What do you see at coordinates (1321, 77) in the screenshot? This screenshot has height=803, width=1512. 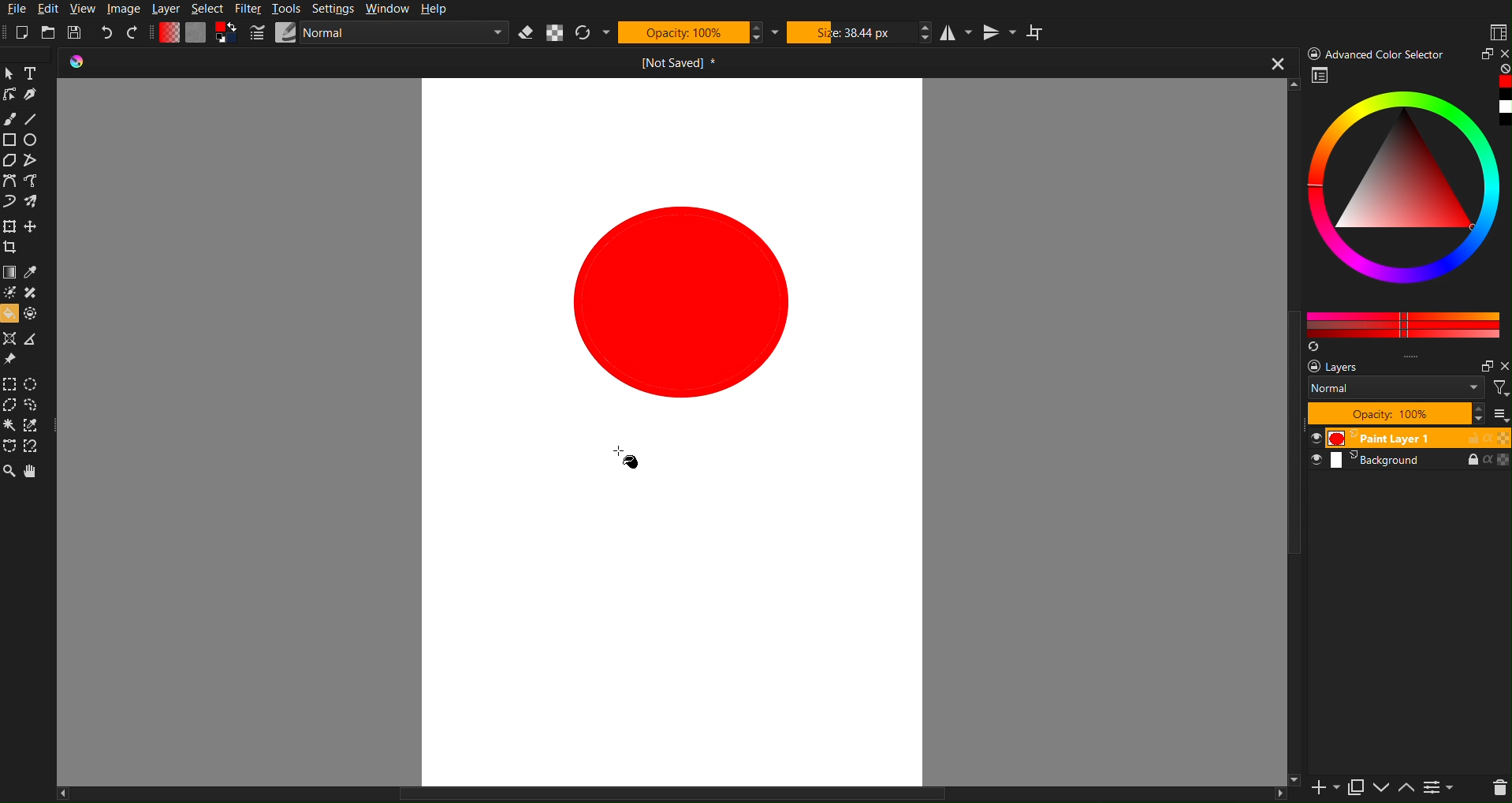 I see `Picker` at bounding box center [1321, 77].